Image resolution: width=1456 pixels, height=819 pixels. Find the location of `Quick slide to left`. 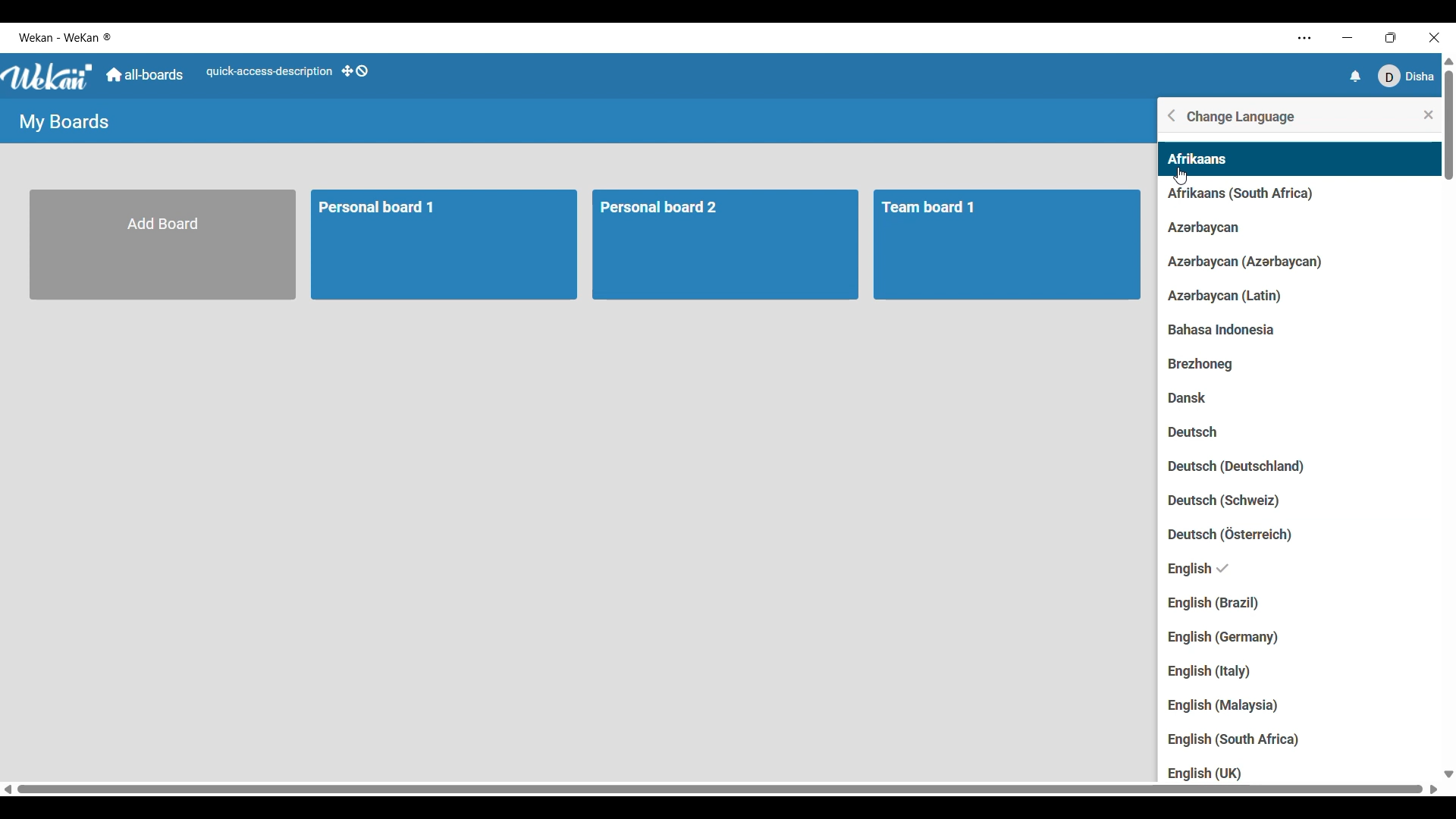

Quick slide to left is located at coordinates (8, 789).